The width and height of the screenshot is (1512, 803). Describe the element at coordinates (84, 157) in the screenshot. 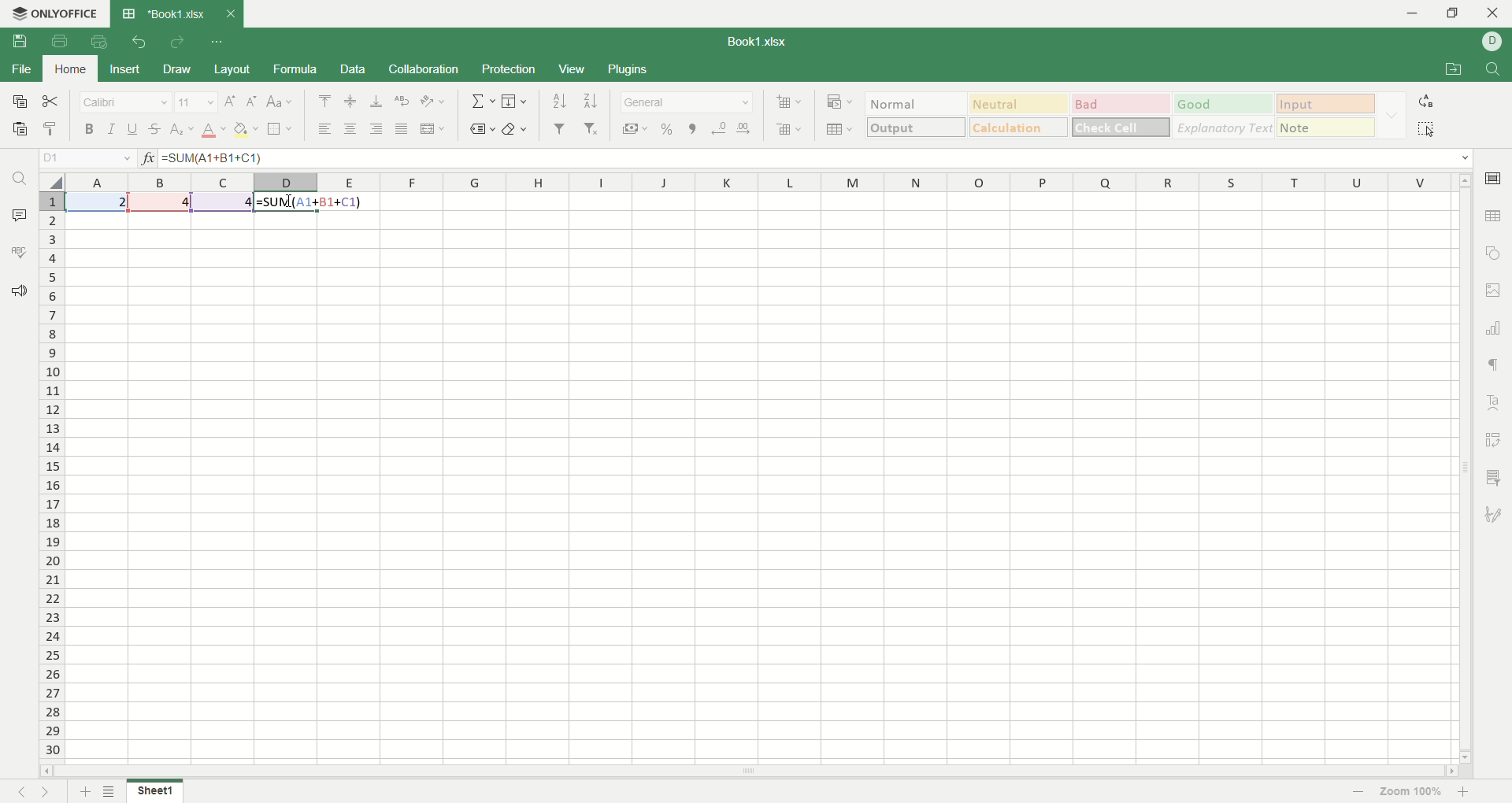

I see `cell name` at that location.